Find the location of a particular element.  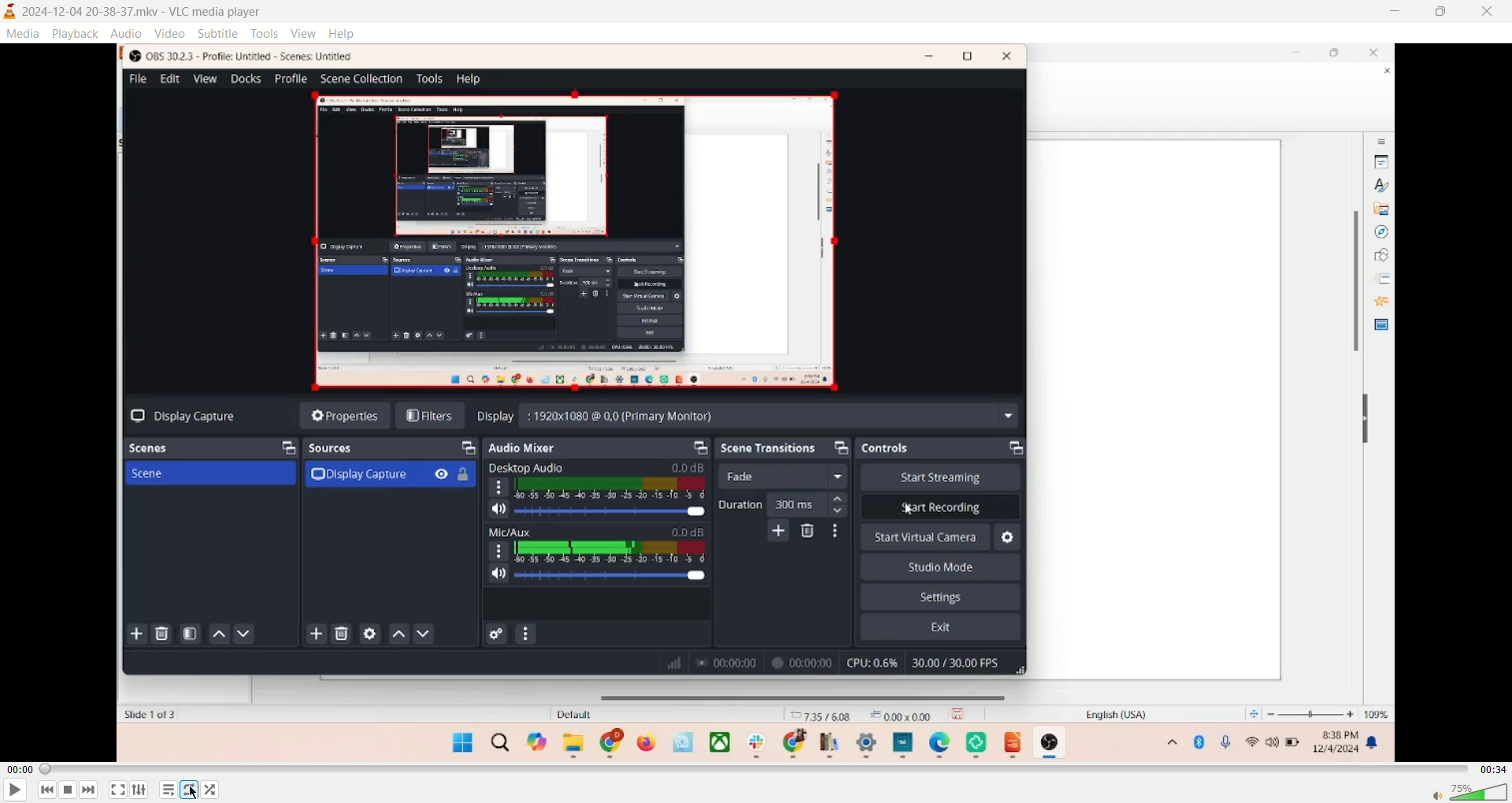

fullscreen is located at coordinates (118, 790).